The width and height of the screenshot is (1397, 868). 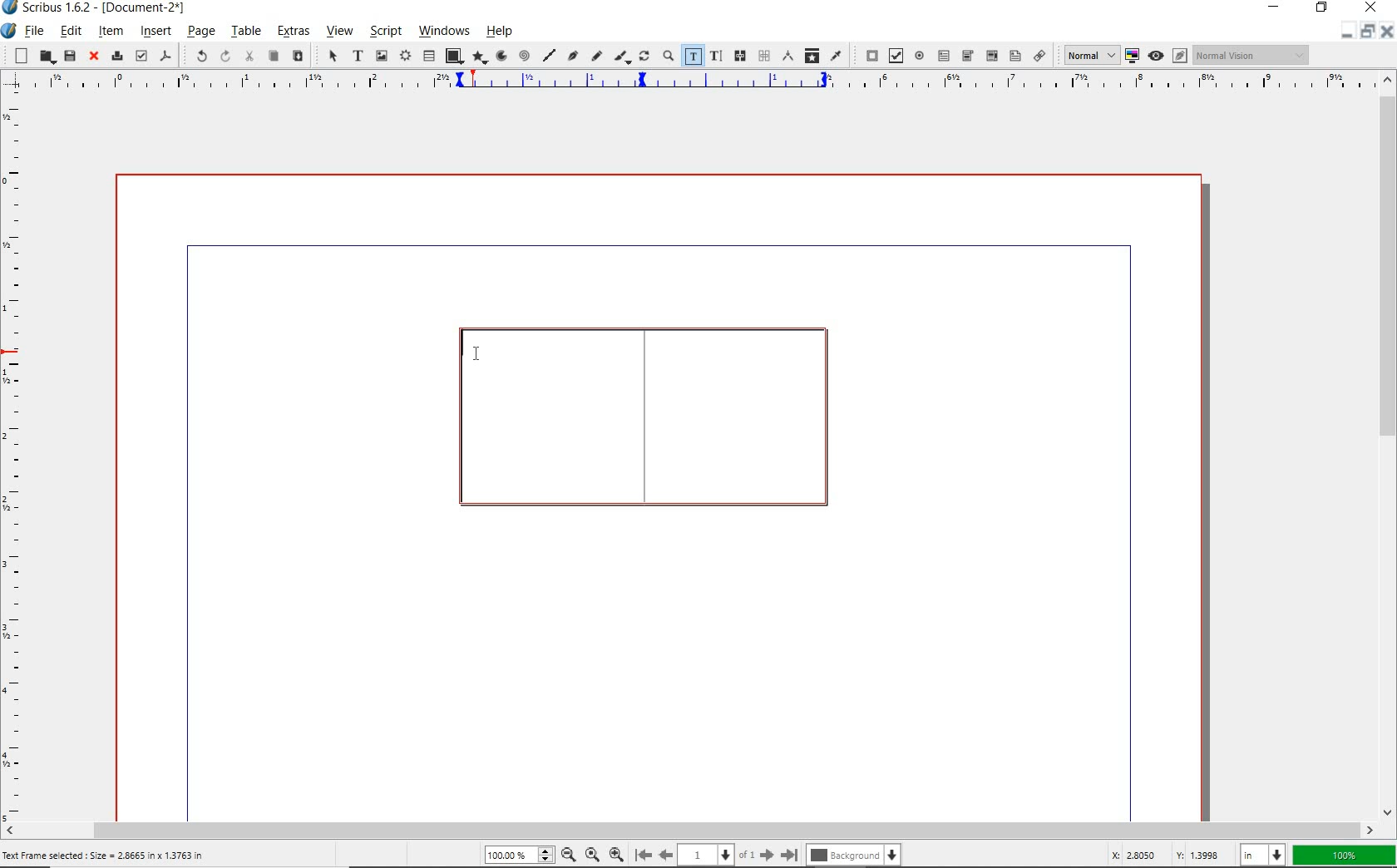 What do you see at coordinates (299, 57) in the screenshot?
I see `paste` at bounding box center [299, 57].